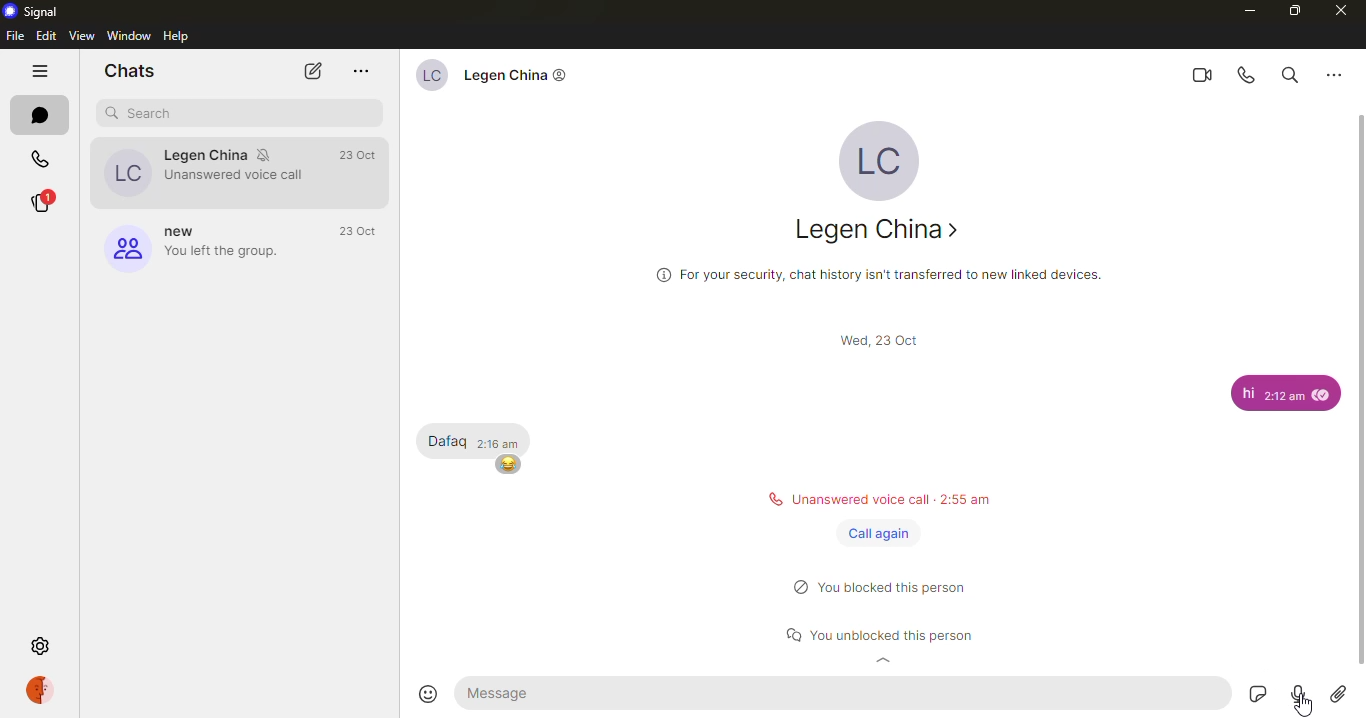 This screenshot has height=718, width=1366. I want to click on info, so click(873, 270).